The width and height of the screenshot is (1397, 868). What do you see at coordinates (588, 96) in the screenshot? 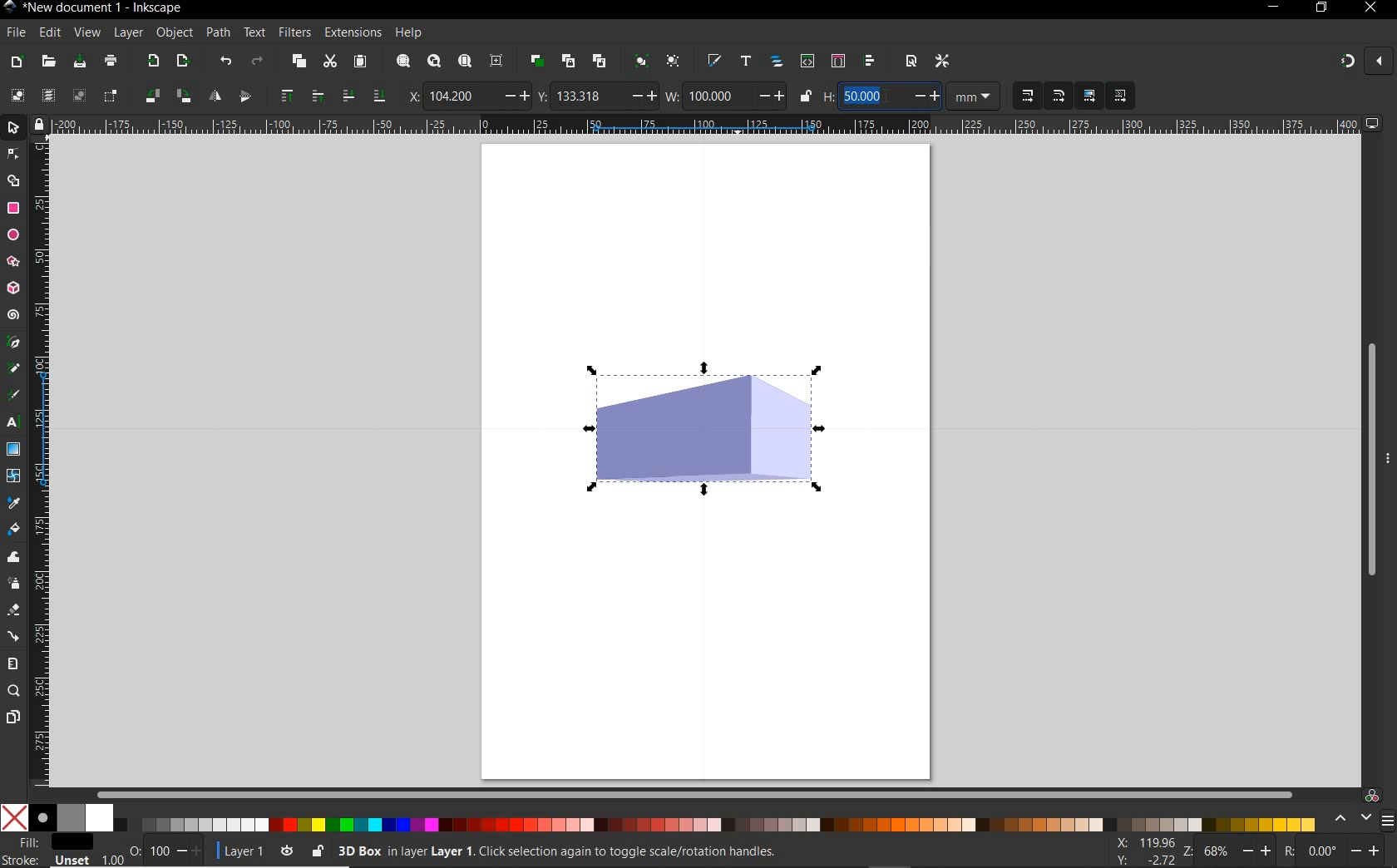
I see `133` at bounding box center [588, 96].